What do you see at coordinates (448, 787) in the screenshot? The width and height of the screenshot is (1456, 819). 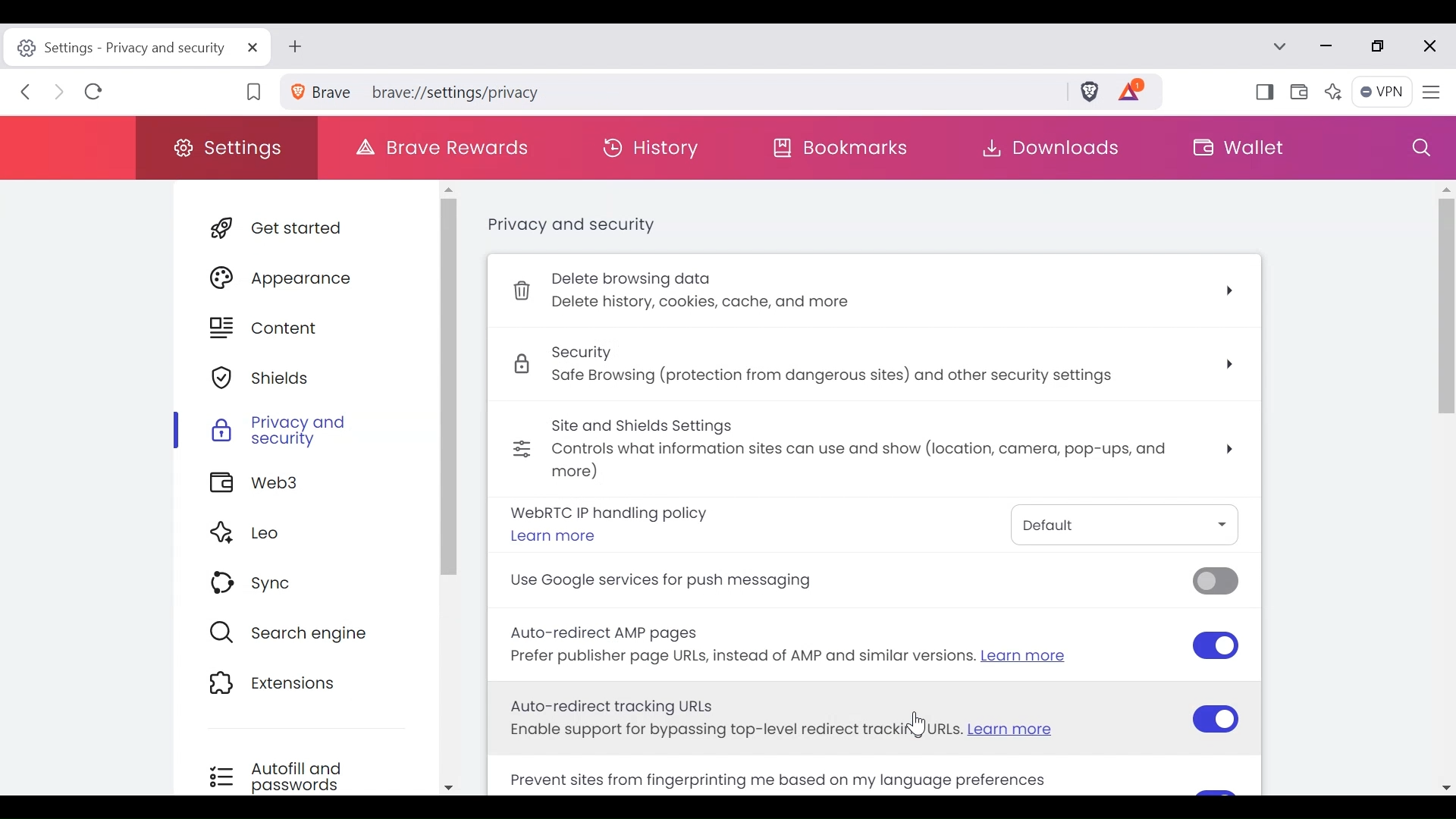 I see `Scroll down` at bounding box center [448, 787].